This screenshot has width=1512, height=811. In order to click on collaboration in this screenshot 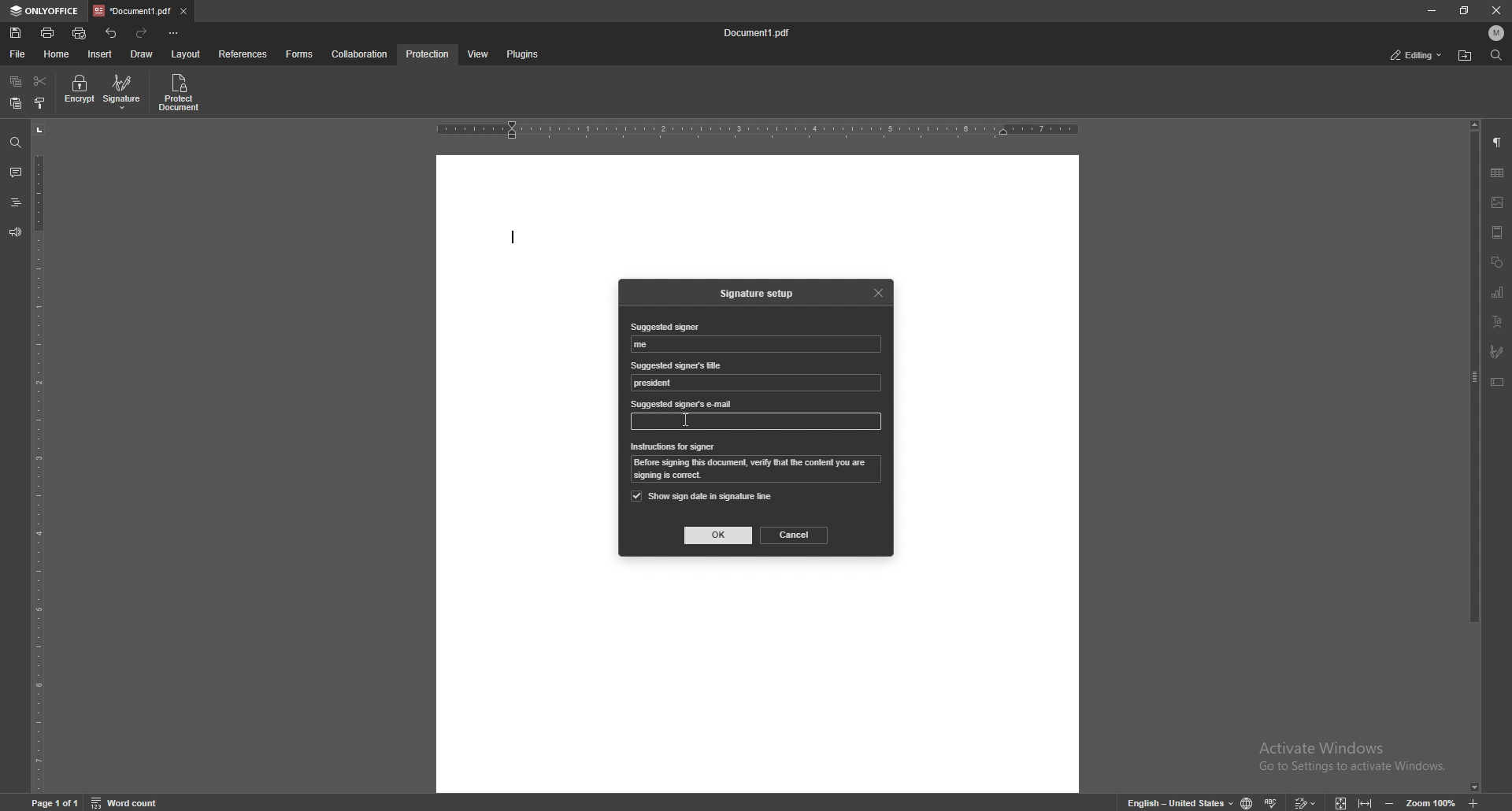, I will do `click(361, 54)`.